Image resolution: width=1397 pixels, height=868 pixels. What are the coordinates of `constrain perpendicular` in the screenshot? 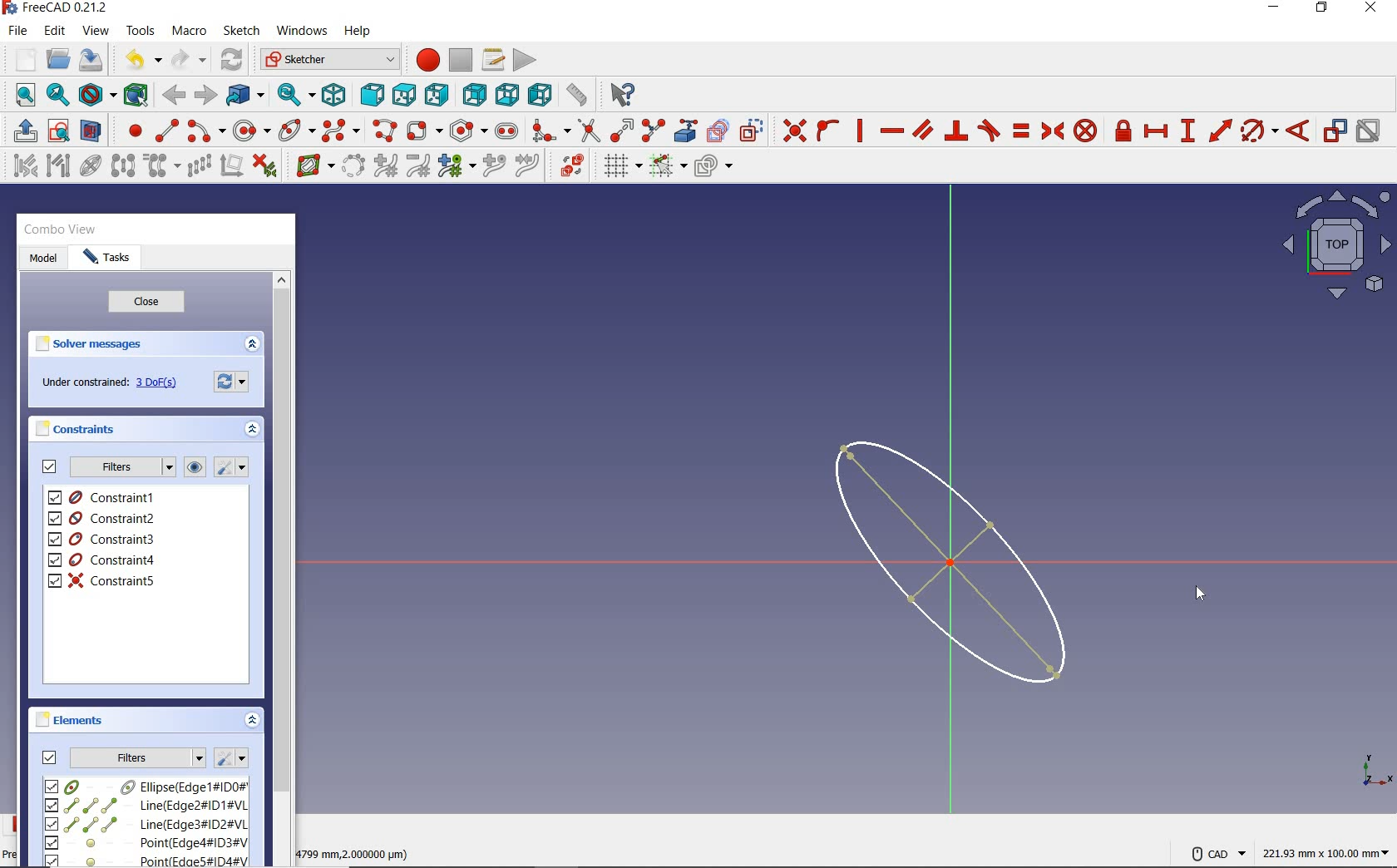 It's located at (957, 131).